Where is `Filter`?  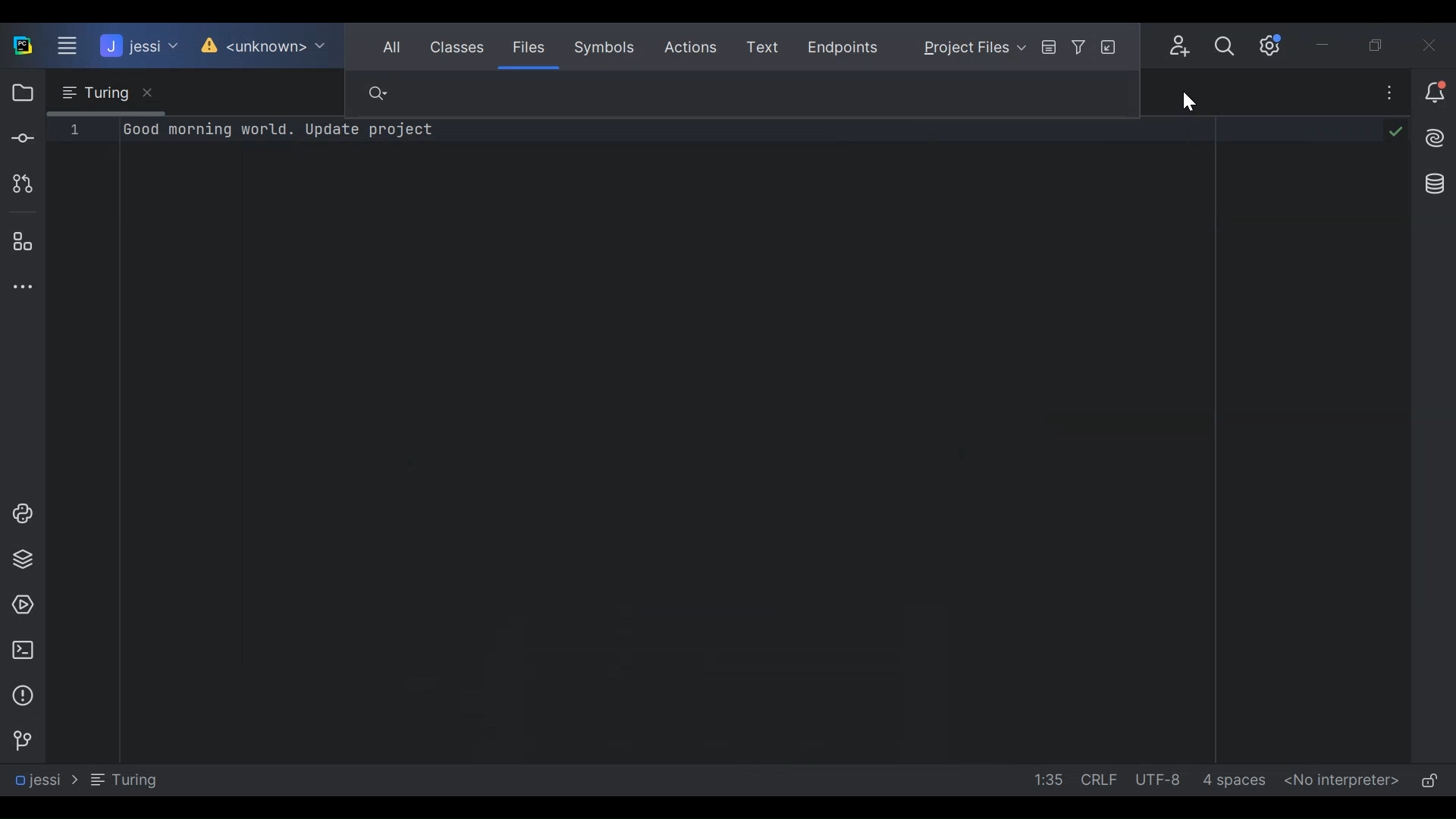 Filter is located at coordinates (1080, 49).